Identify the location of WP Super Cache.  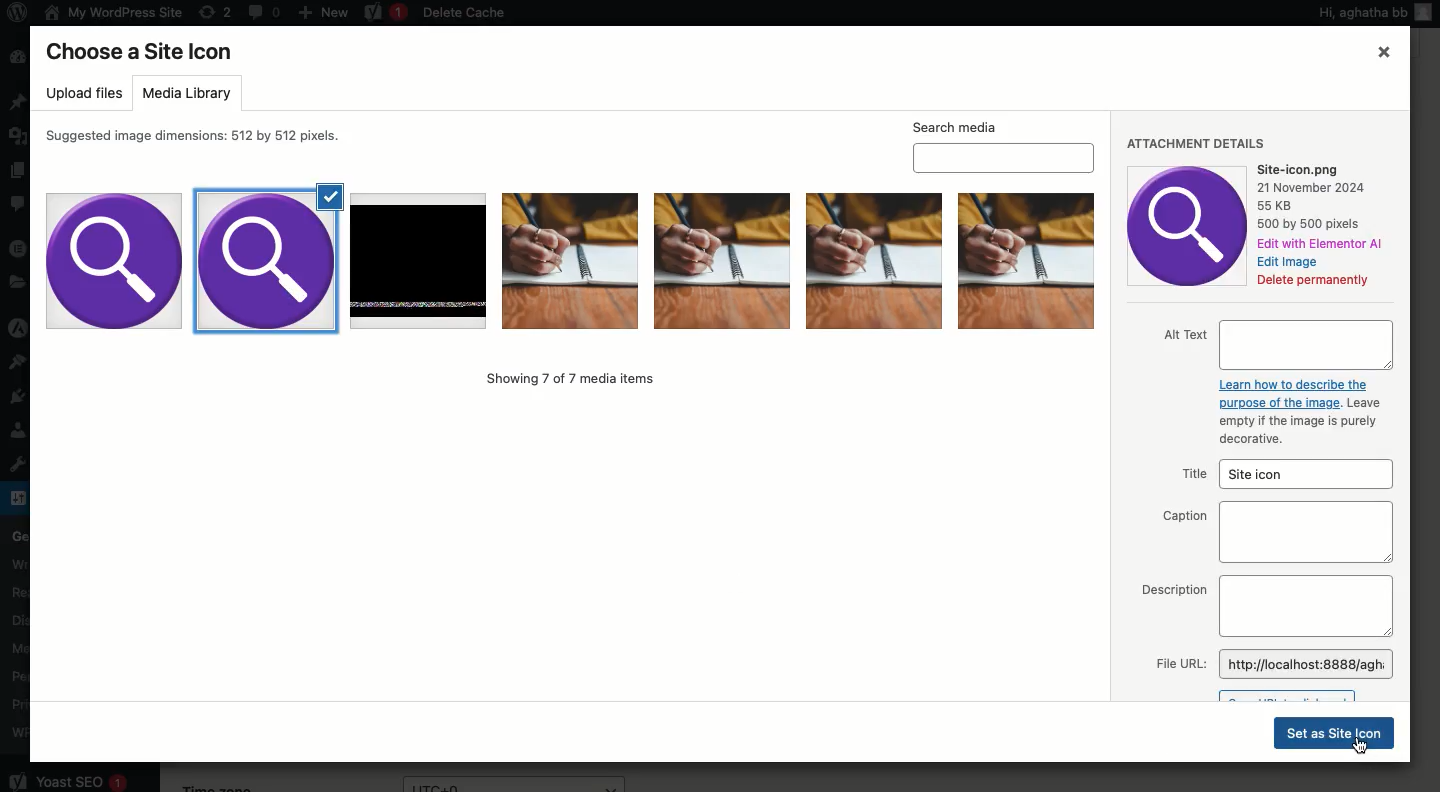
(20, 732).